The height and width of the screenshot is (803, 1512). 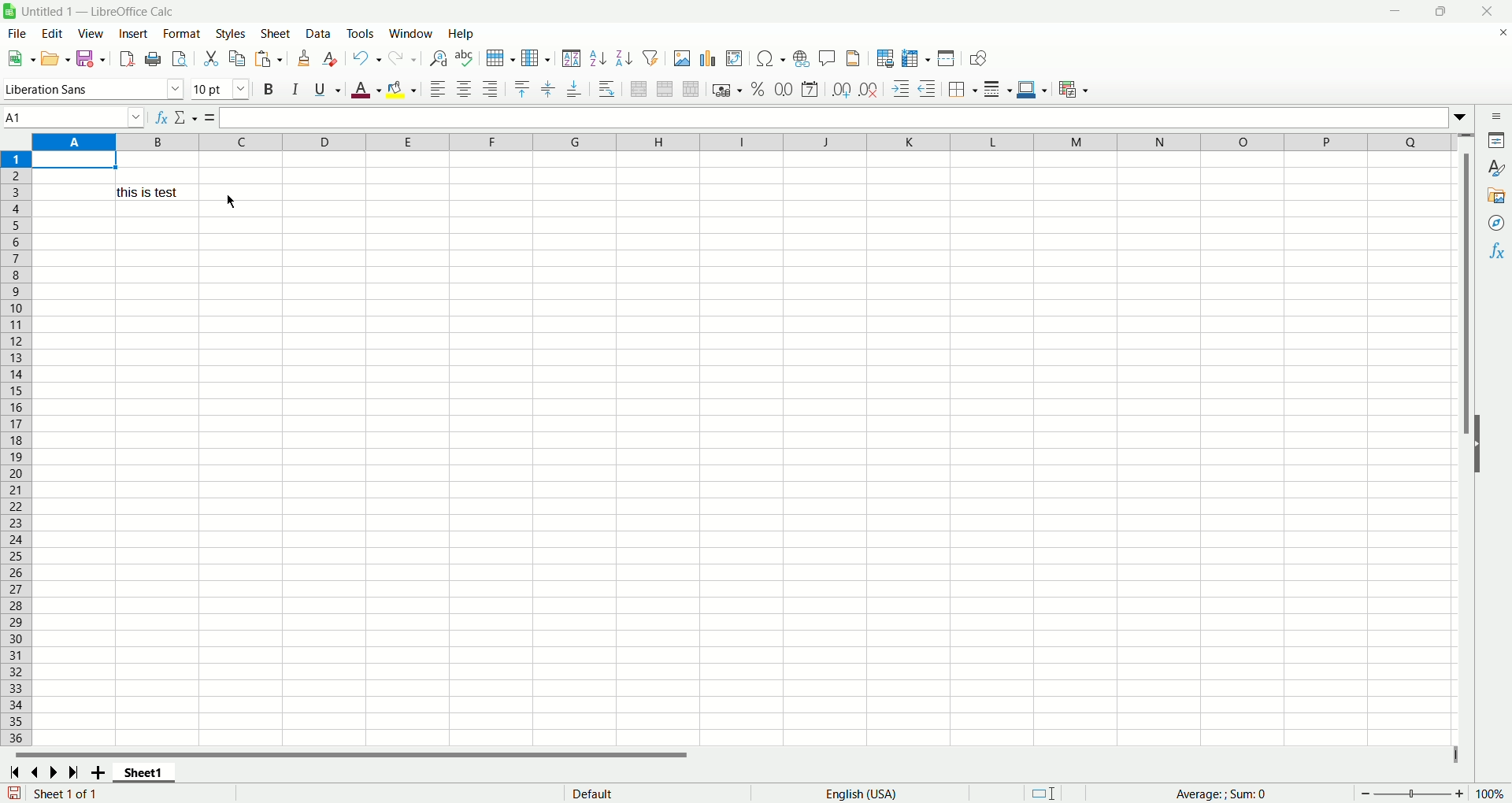 I want to click on properties, so click(x=1498, y=140).